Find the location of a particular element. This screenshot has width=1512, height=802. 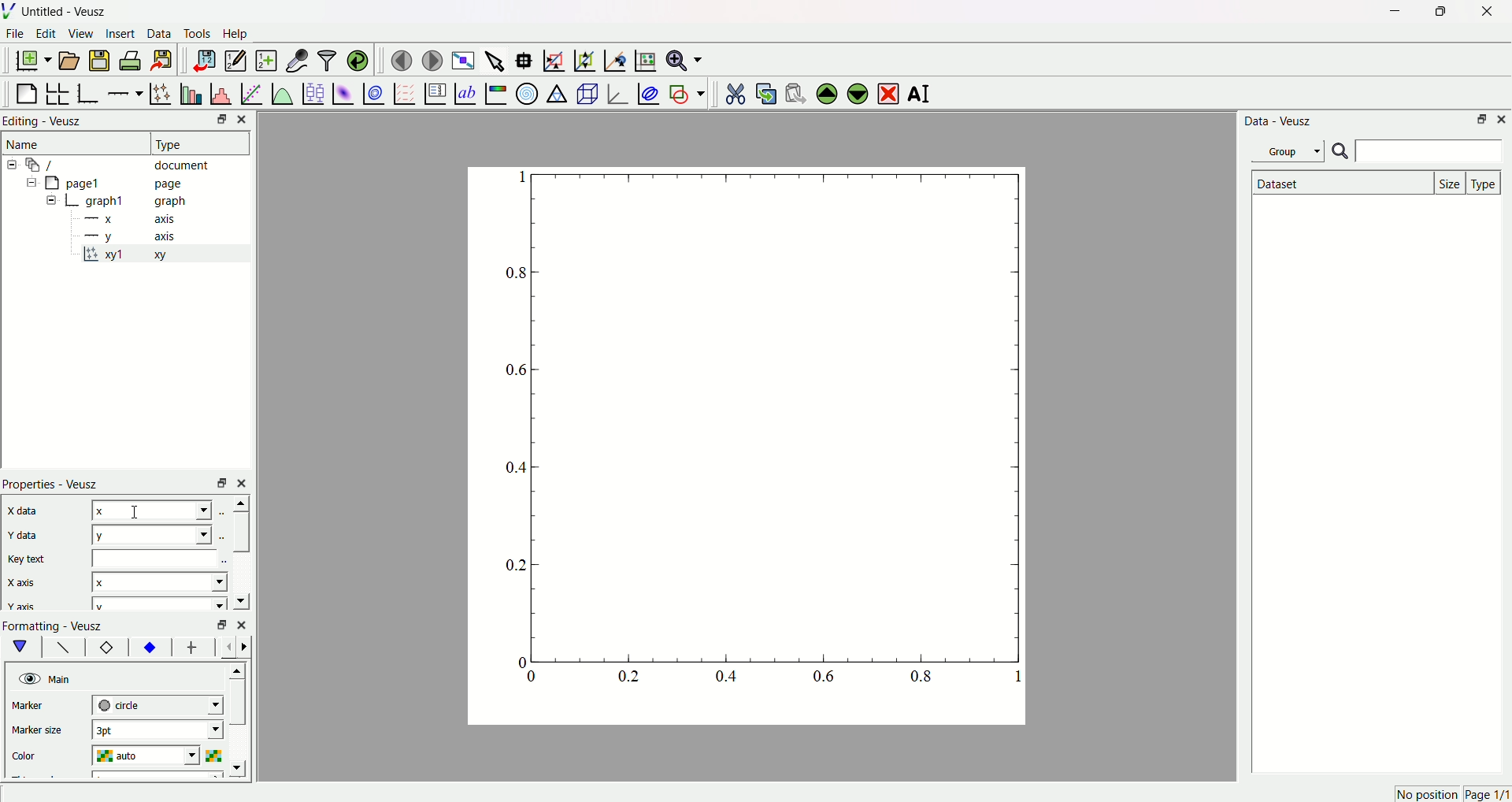

scroll bar is located at coordinates (239, 707).